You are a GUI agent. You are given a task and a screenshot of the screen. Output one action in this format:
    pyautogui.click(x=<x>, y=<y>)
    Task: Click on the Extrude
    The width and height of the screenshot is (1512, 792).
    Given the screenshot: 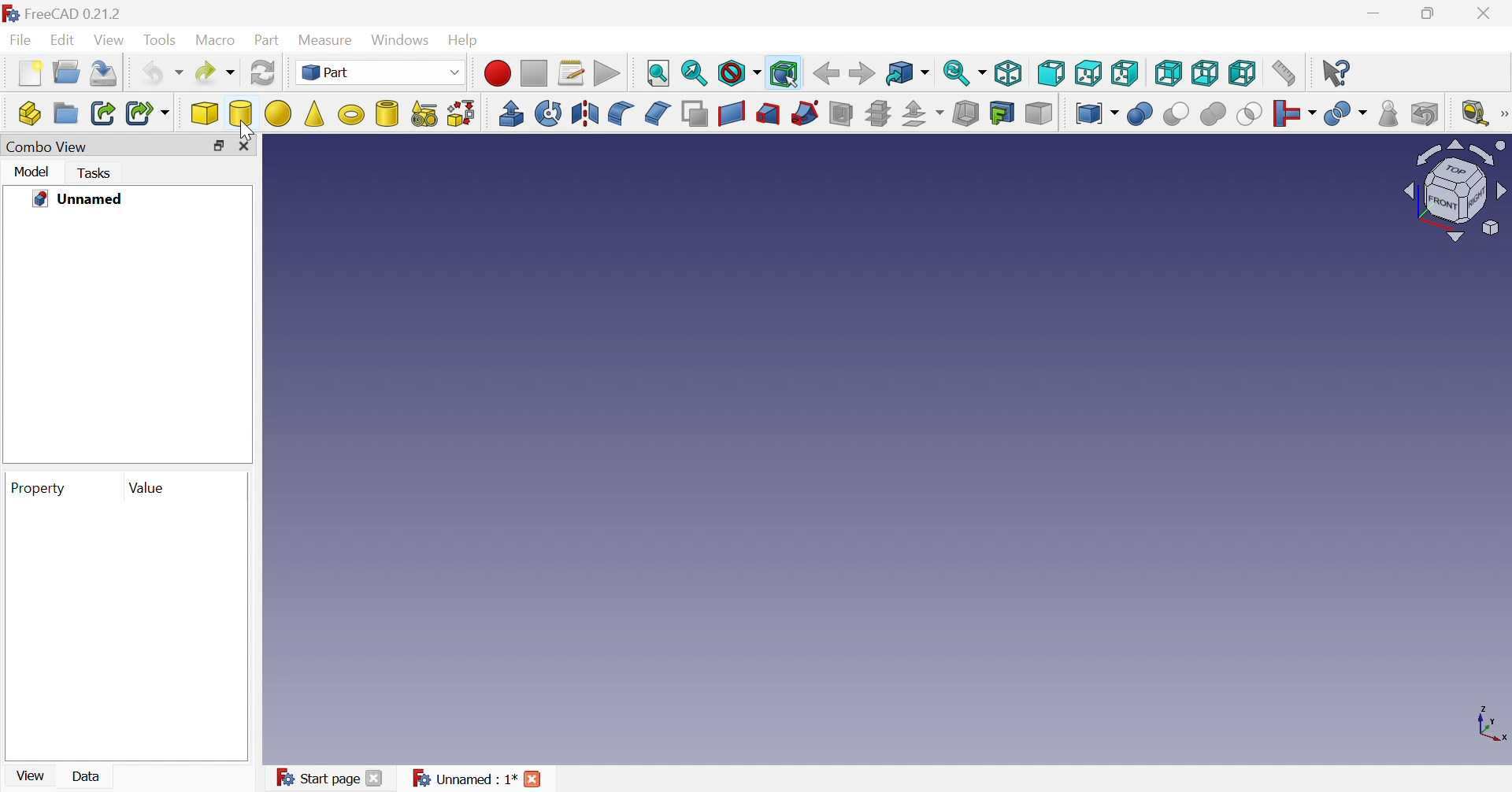 What is the action you would take?
    pyautogui.click(x=510, y=113)
    